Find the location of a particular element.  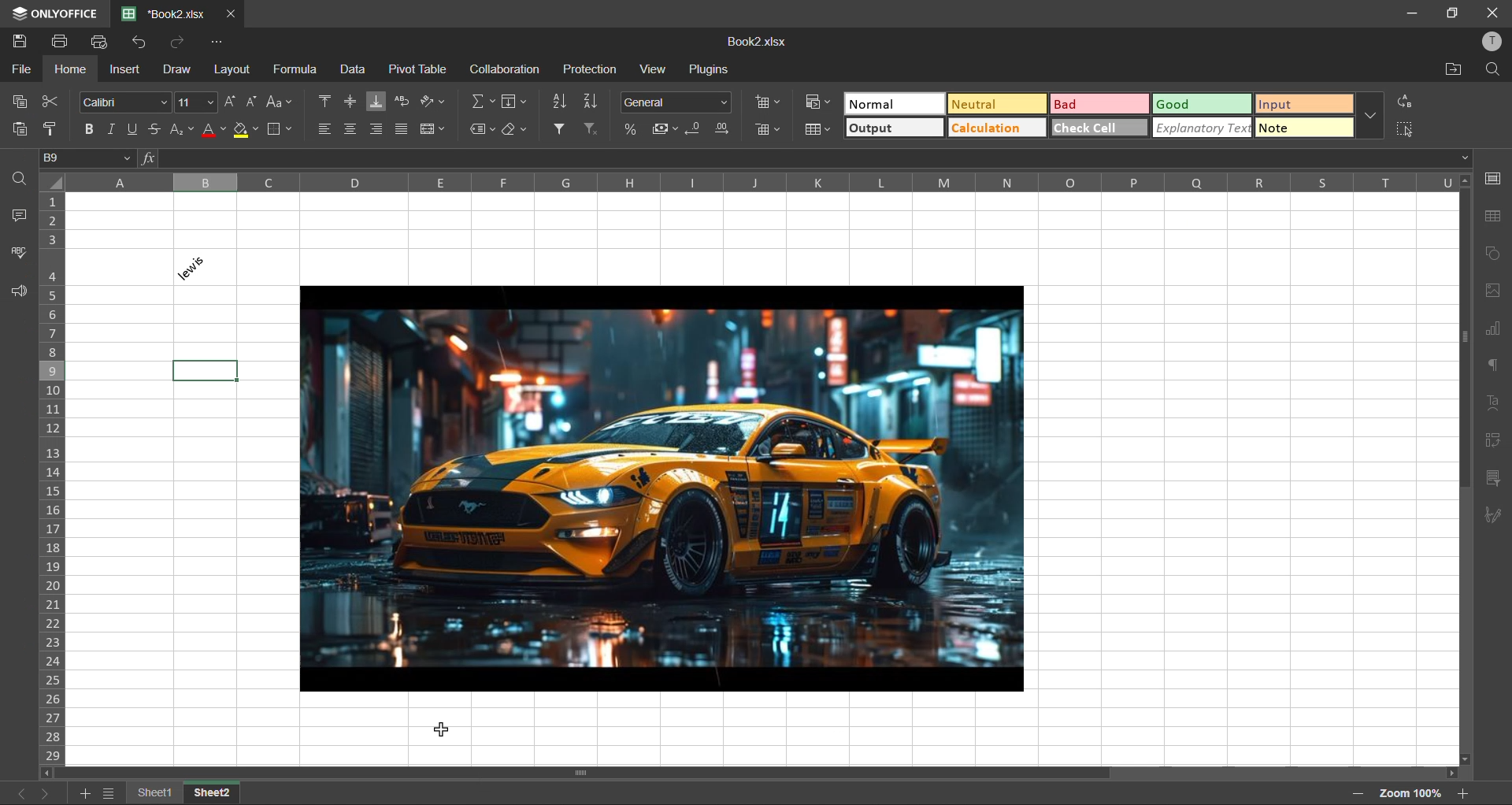

font color is located at coordinates (213, 131).